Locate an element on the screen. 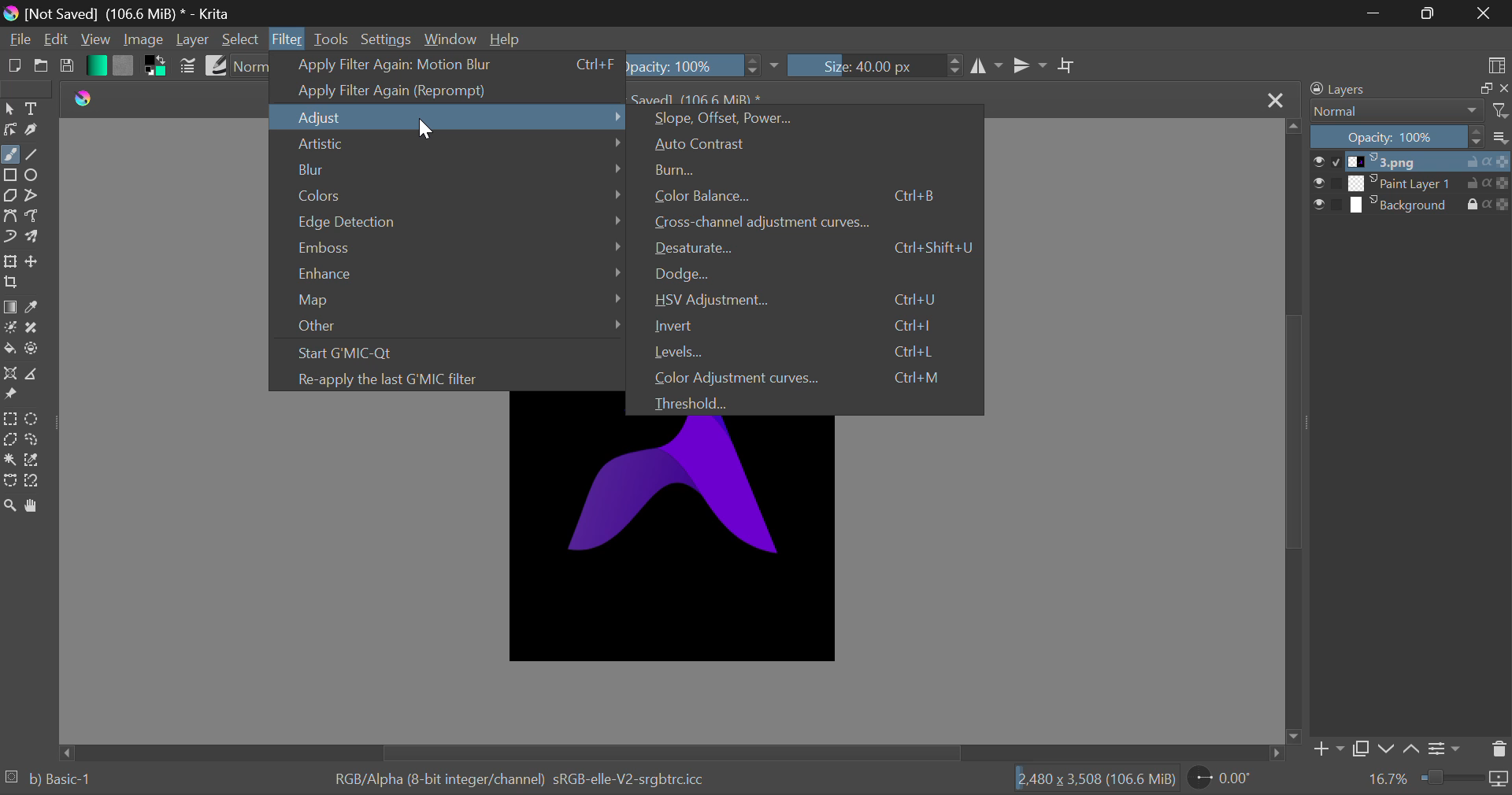  Pan is located at coordinates (38, 505).